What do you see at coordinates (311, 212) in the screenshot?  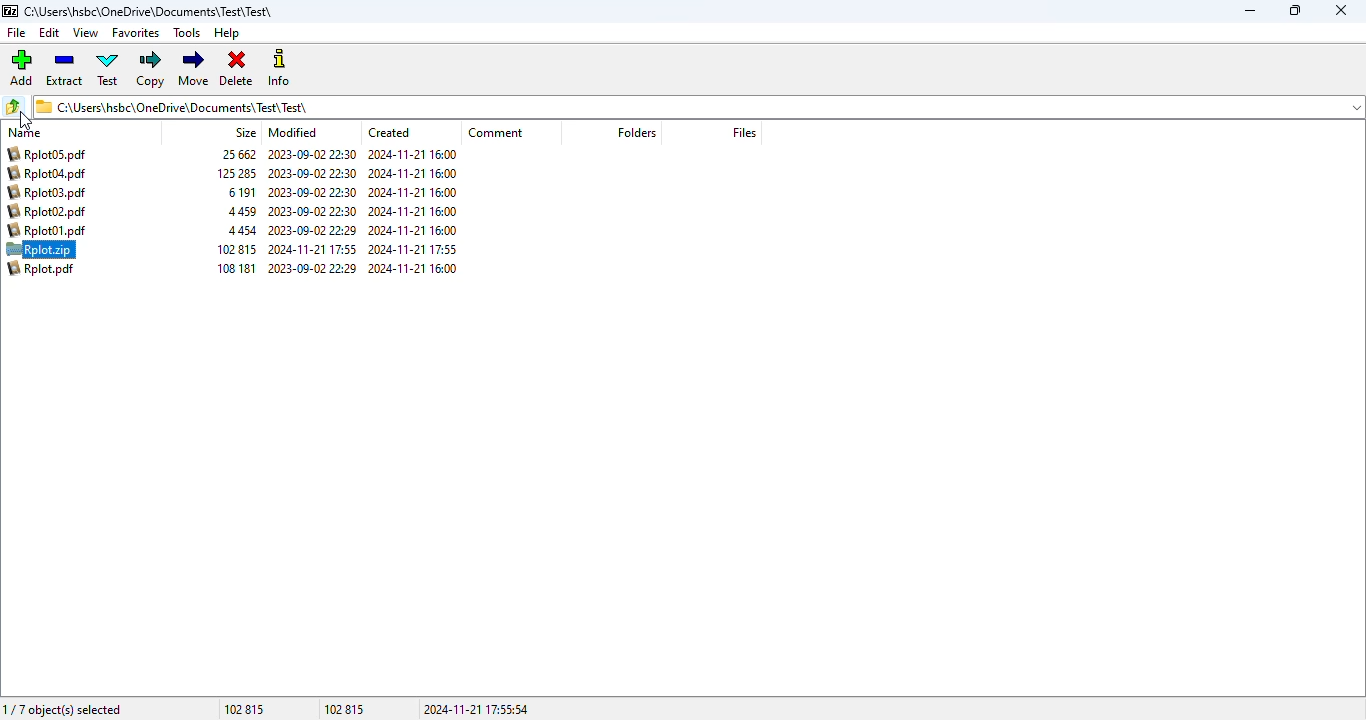 I see `2023-09-02 22:30` at bounding box center [311, 212].